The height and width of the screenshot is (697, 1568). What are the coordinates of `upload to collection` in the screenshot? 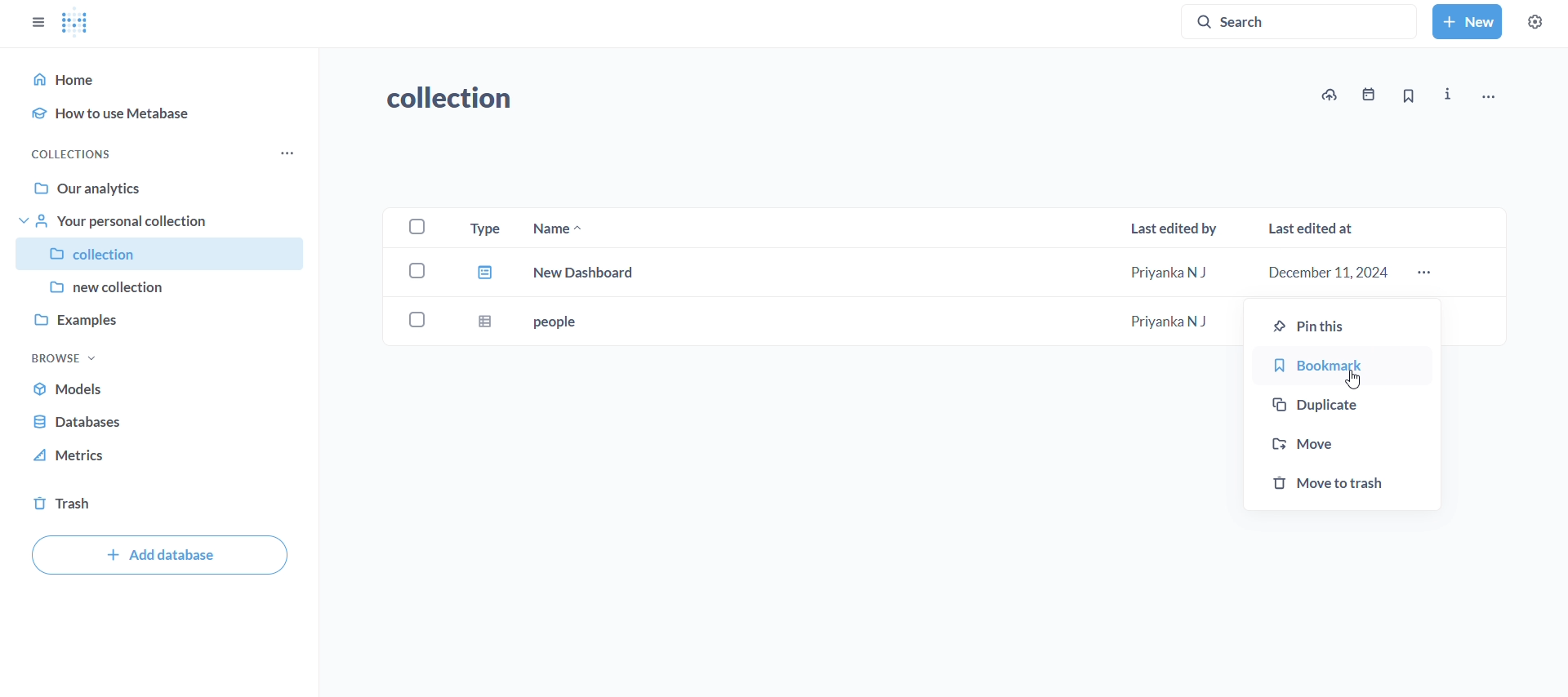 It's located at (1330, 95).